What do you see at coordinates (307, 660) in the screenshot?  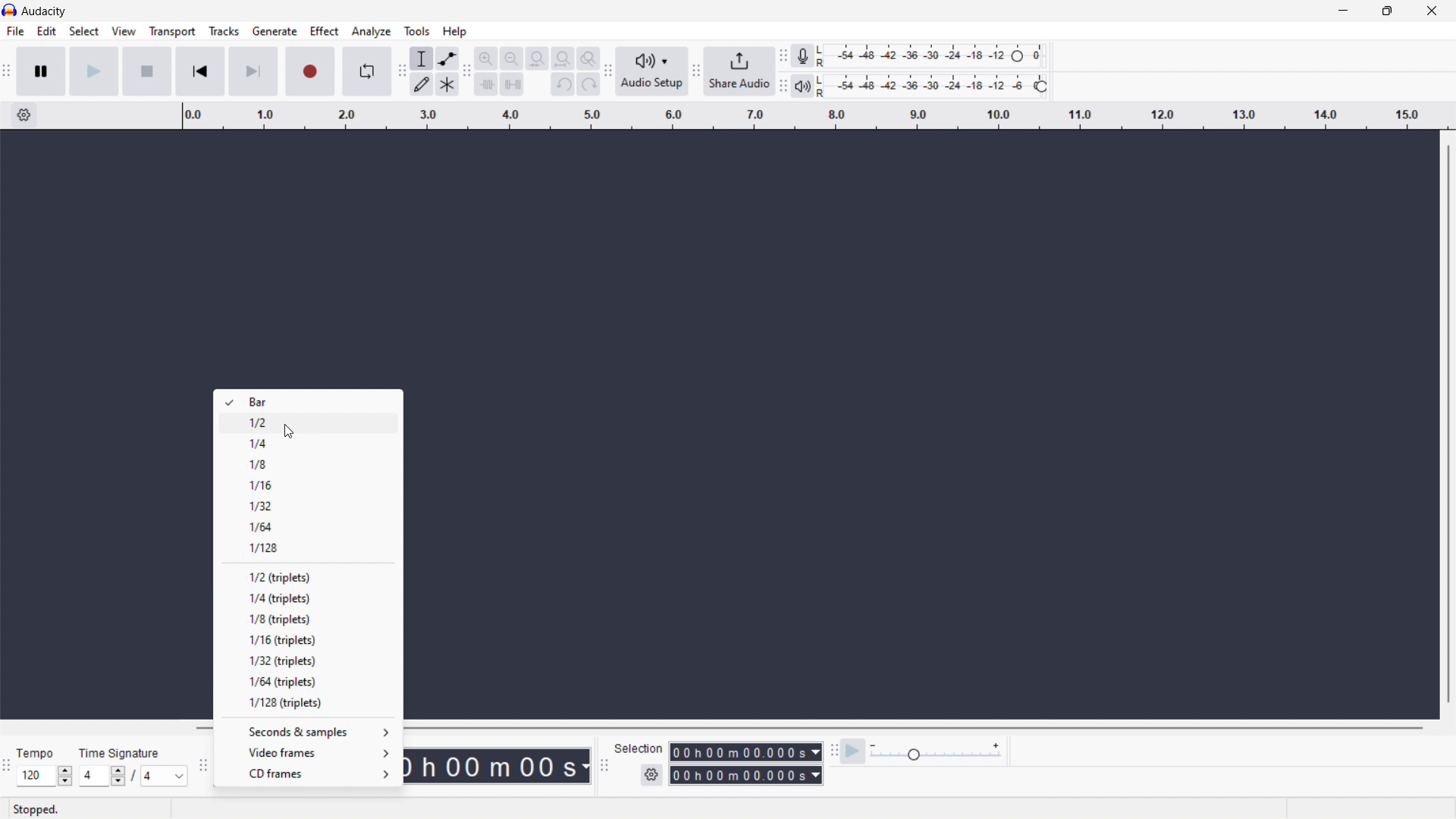 I see `1/32 (triplets)` at bounding box center [307, 660].